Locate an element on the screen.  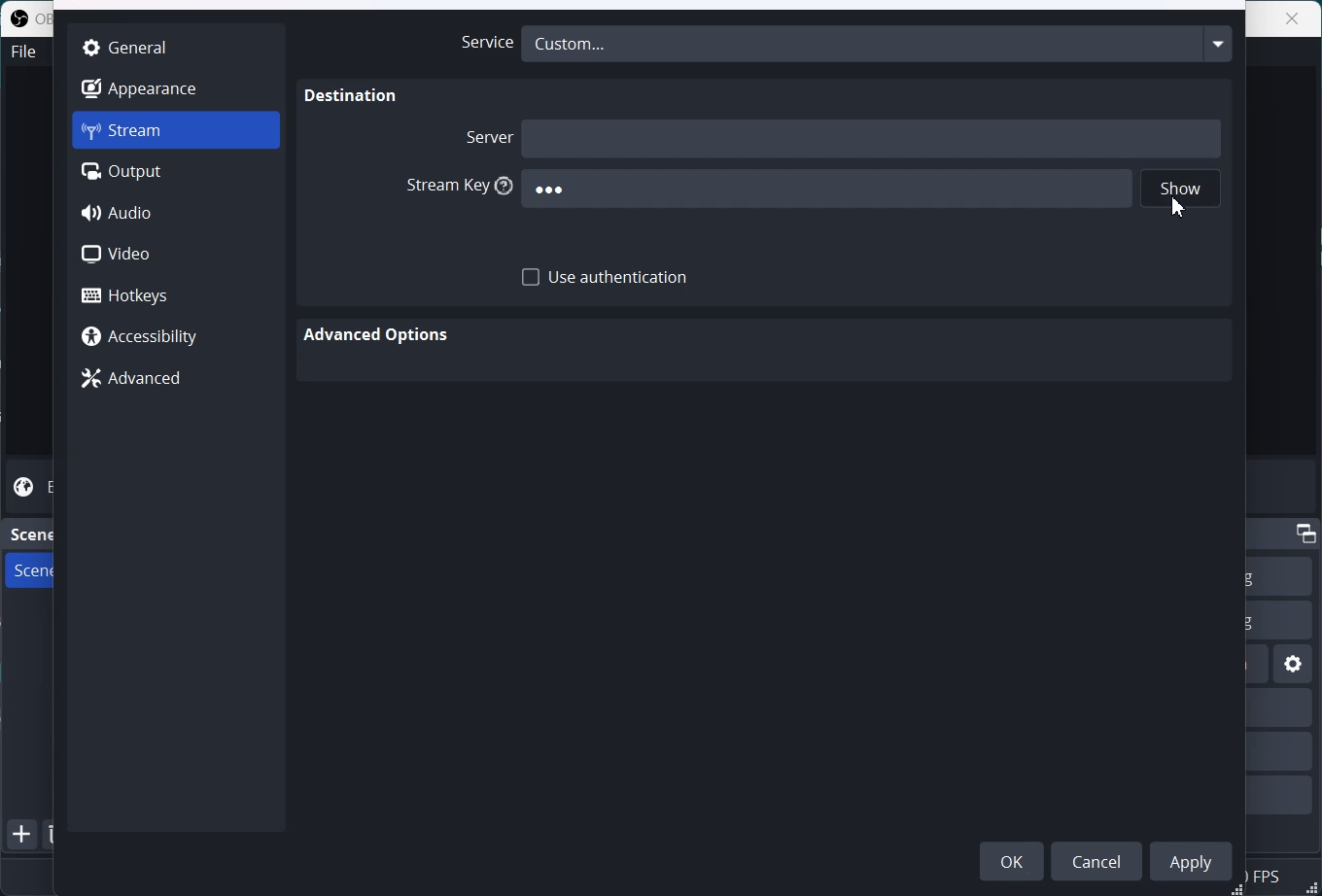
Hotkeys is located at coordinates (177, 294).